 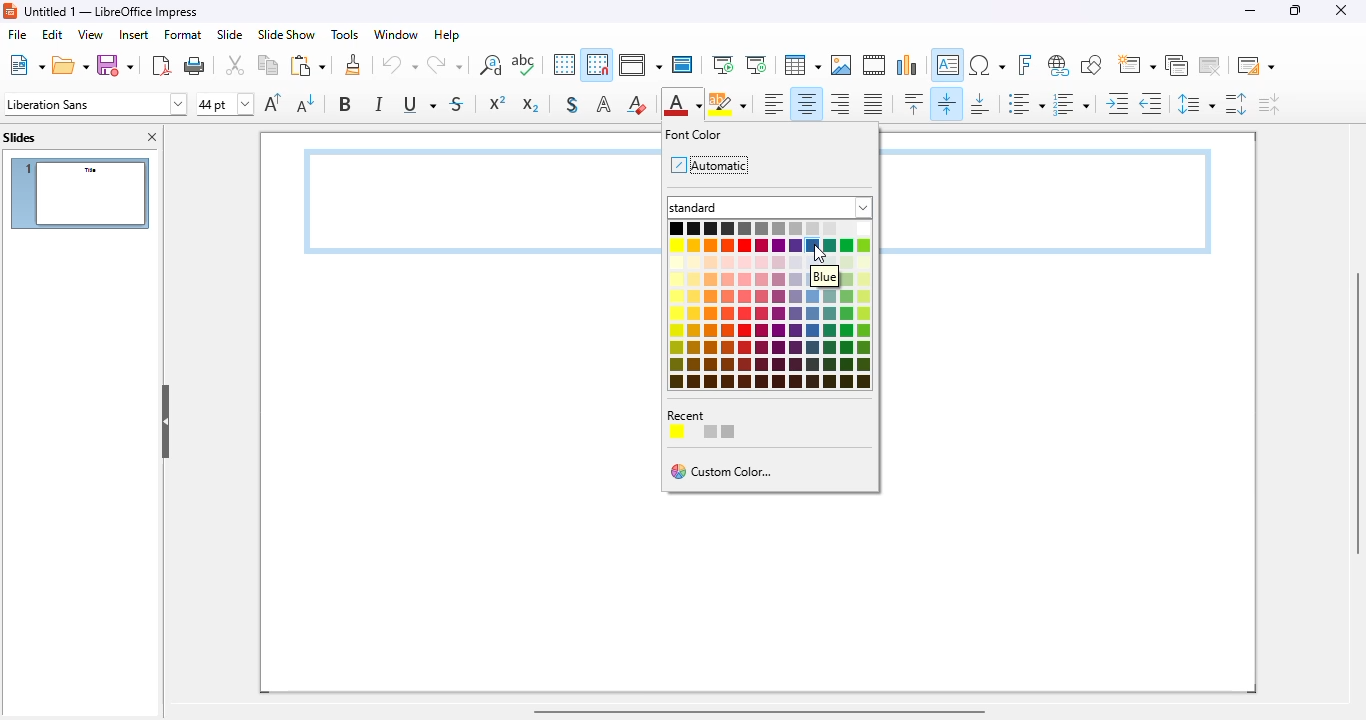 What do you see at coordinates (841, 65) in the screenshot?
I see `insert image` at bounding box center [841, 65].